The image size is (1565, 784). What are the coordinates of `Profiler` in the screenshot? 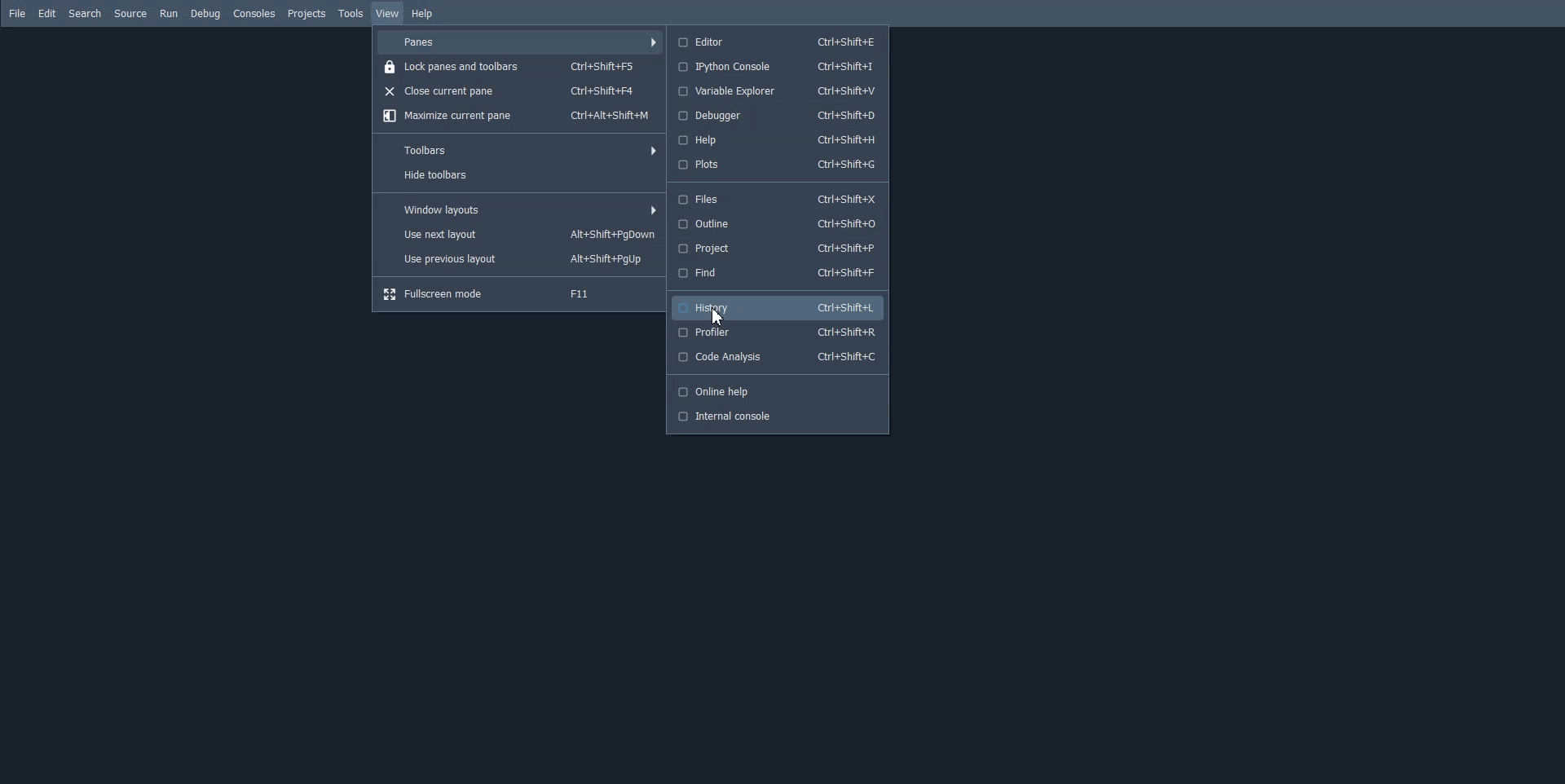 It's located at (778, 333).